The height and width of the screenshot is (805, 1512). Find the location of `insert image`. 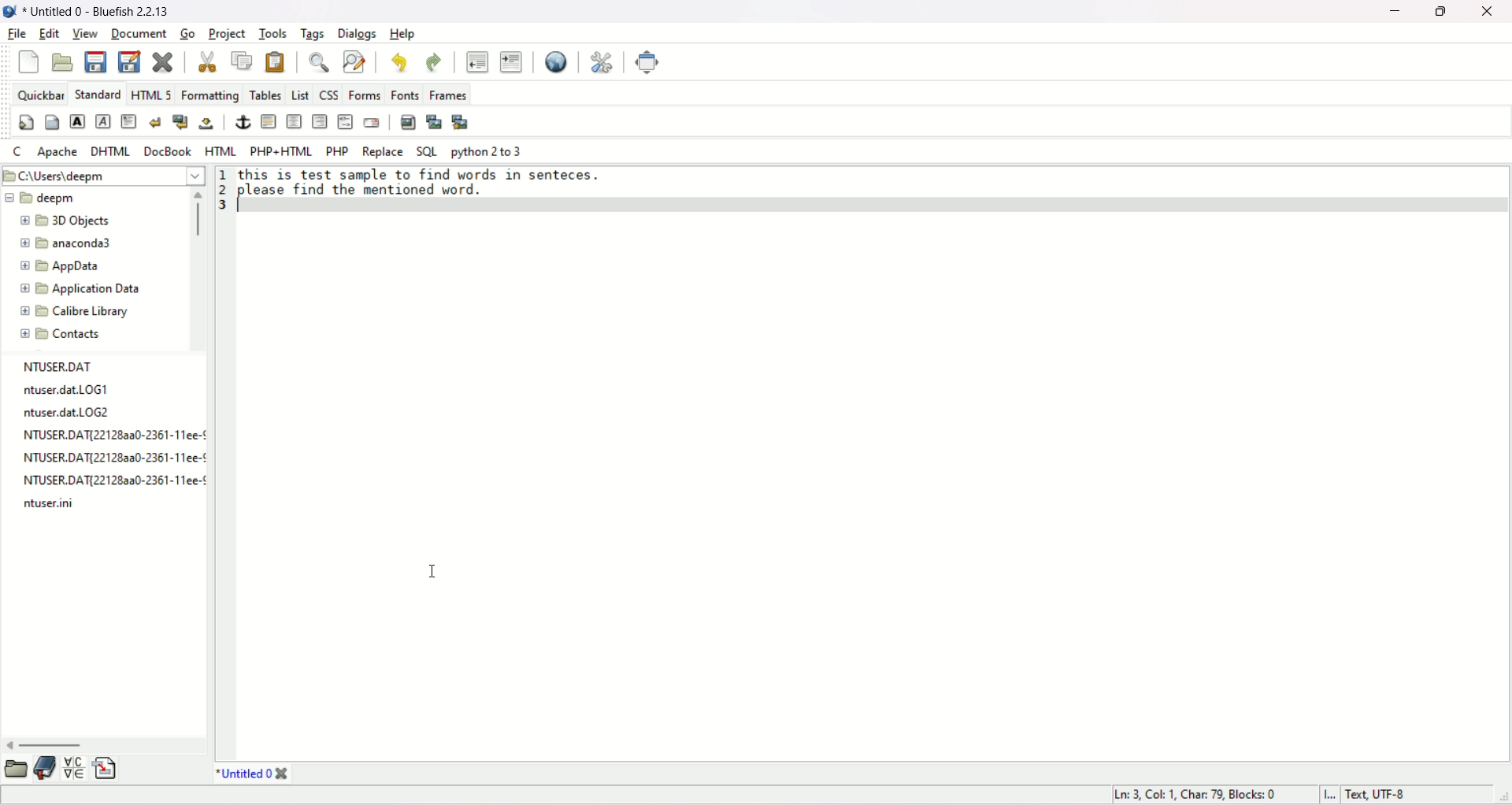

insert image is located at coordinates (407, 121).